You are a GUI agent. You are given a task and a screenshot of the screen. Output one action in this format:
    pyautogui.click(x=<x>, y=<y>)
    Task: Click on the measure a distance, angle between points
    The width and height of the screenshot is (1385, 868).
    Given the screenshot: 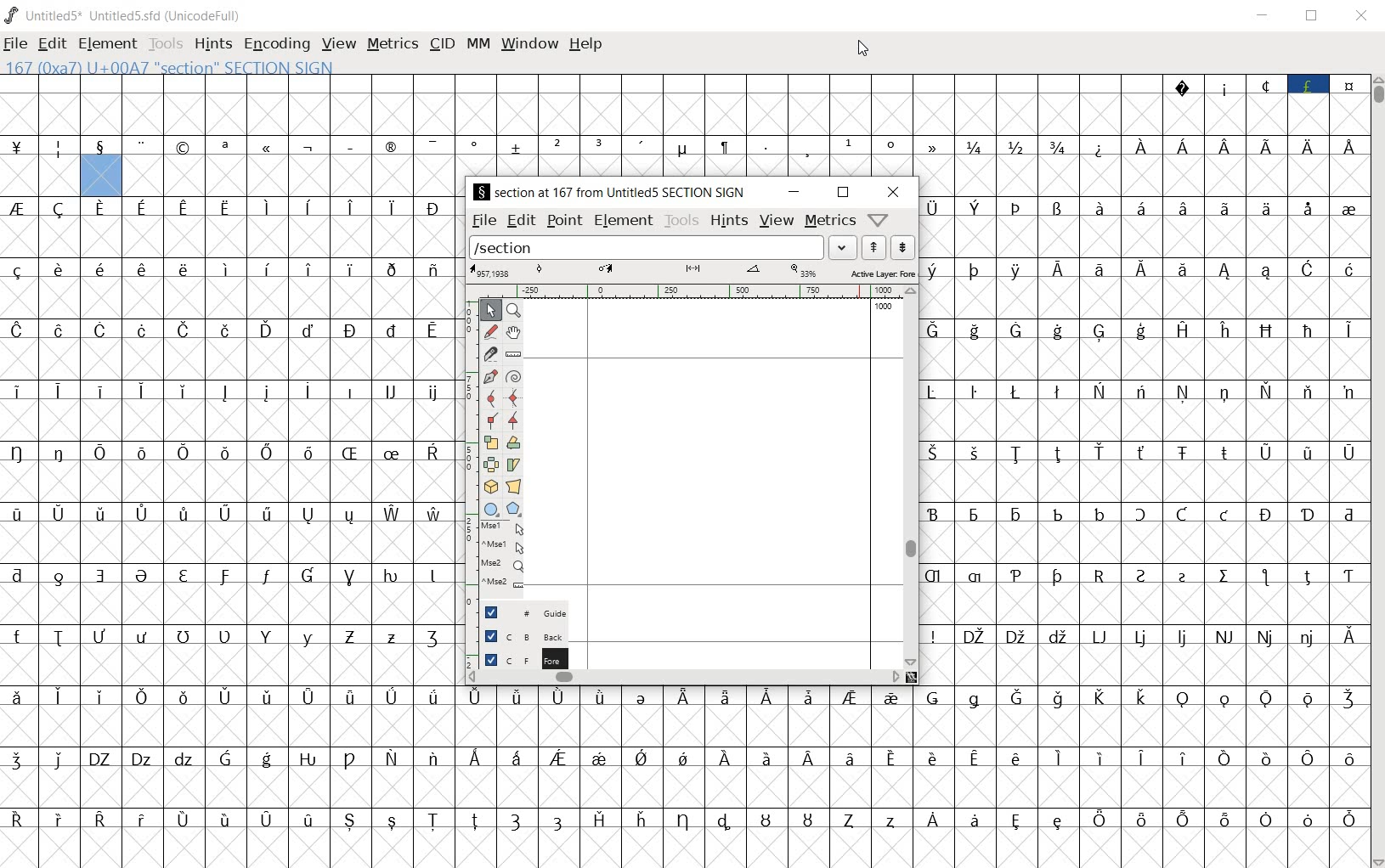 What is the action you would take?
    pyautogui.click(x=513, y=354)
    